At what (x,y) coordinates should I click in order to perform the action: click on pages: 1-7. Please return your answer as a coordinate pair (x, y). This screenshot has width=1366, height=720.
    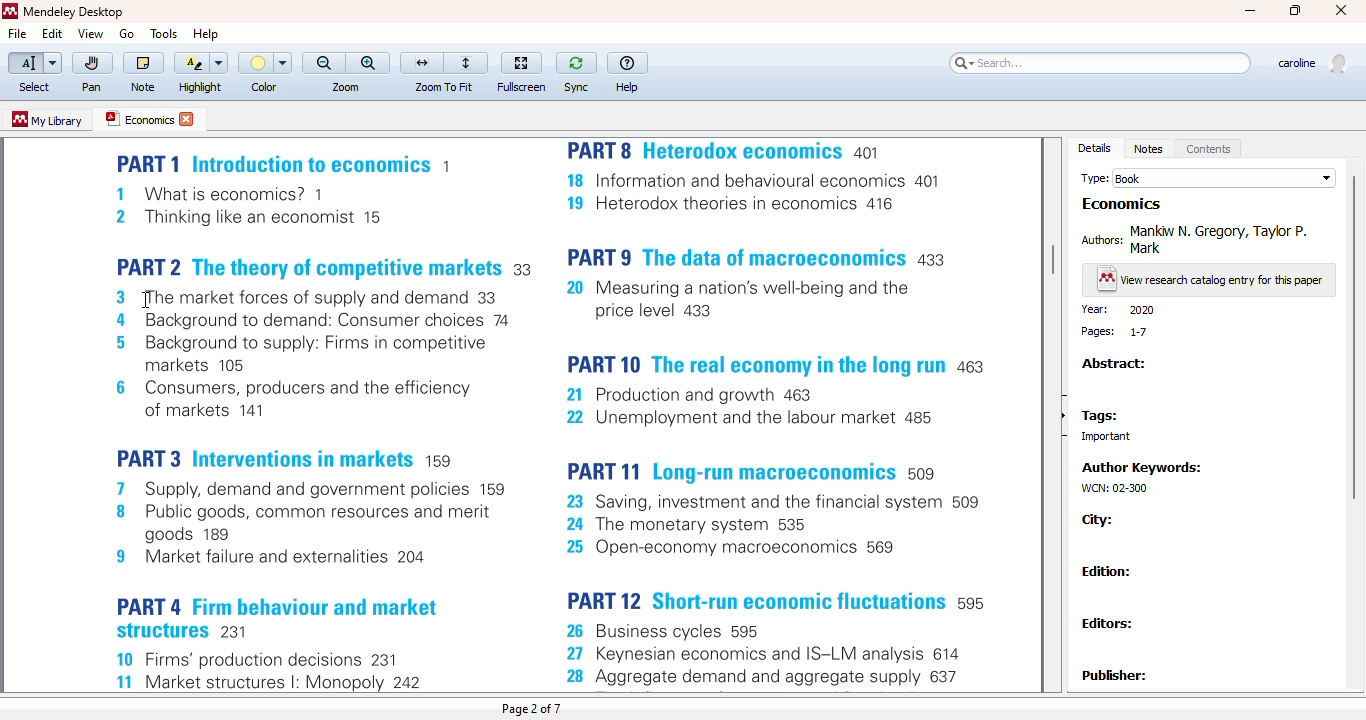
    Looking at the image, I should click on (1116, 332).